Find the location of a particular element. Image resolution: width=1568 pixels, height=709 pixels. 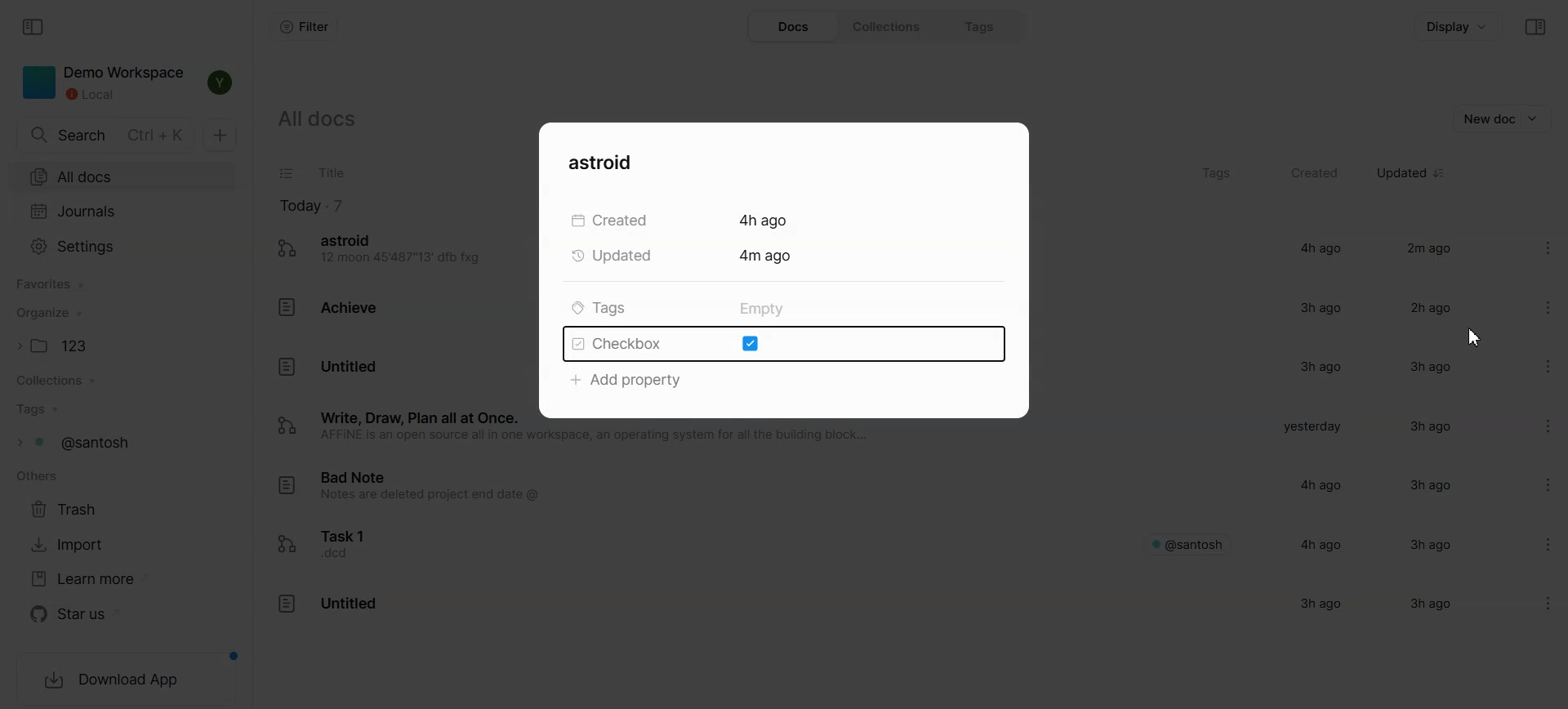

3hago is located at coordinates (1425, 367).